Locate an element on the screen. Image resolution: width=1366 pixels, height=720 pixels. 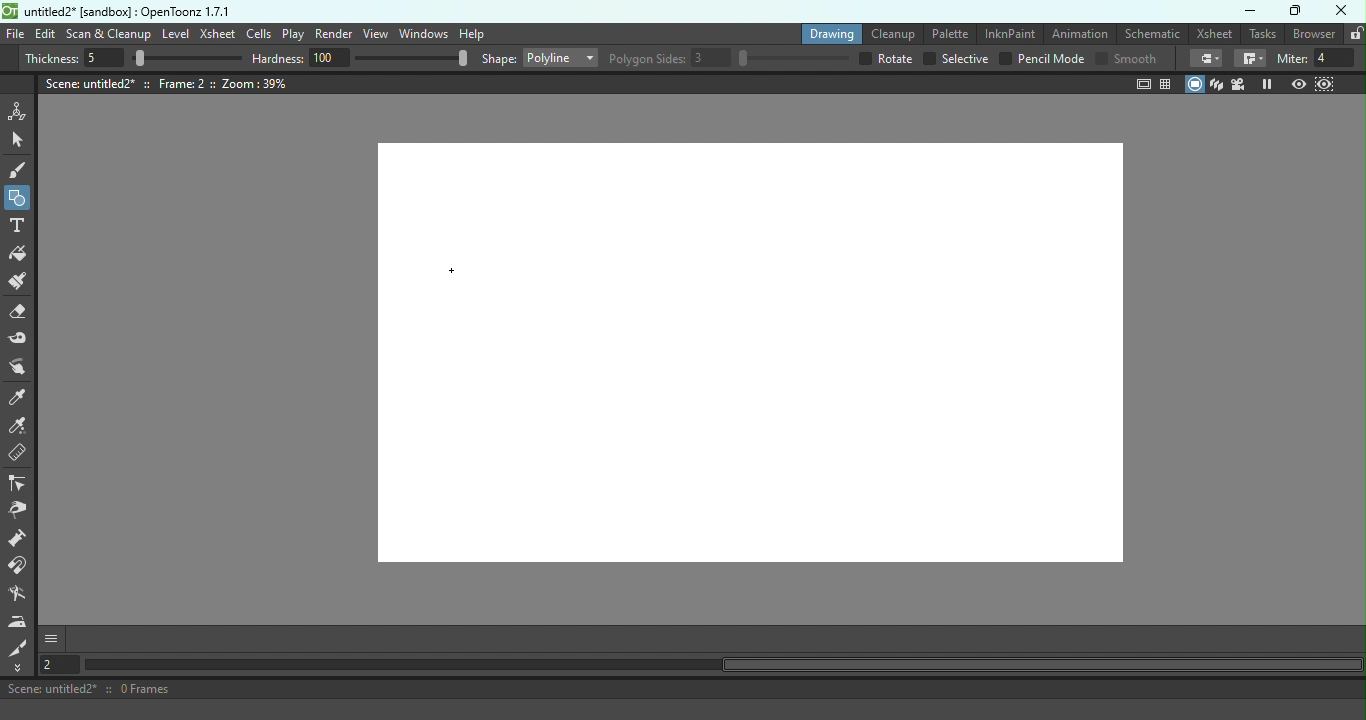
Freeze is located at coordinates (1267, 83).